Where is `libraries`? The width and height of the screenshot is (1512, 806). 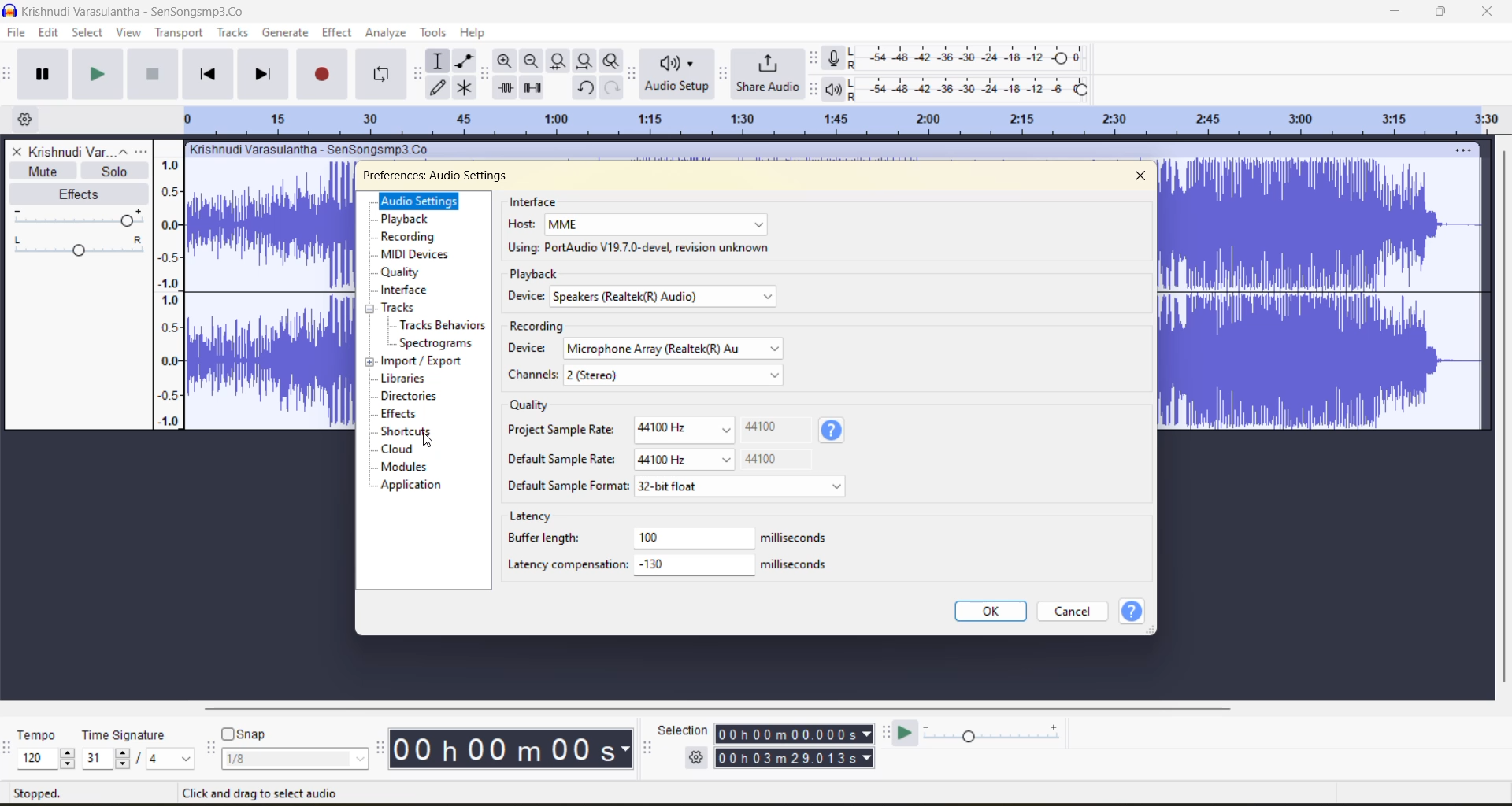
libraries is located at coordinates (412, 379).